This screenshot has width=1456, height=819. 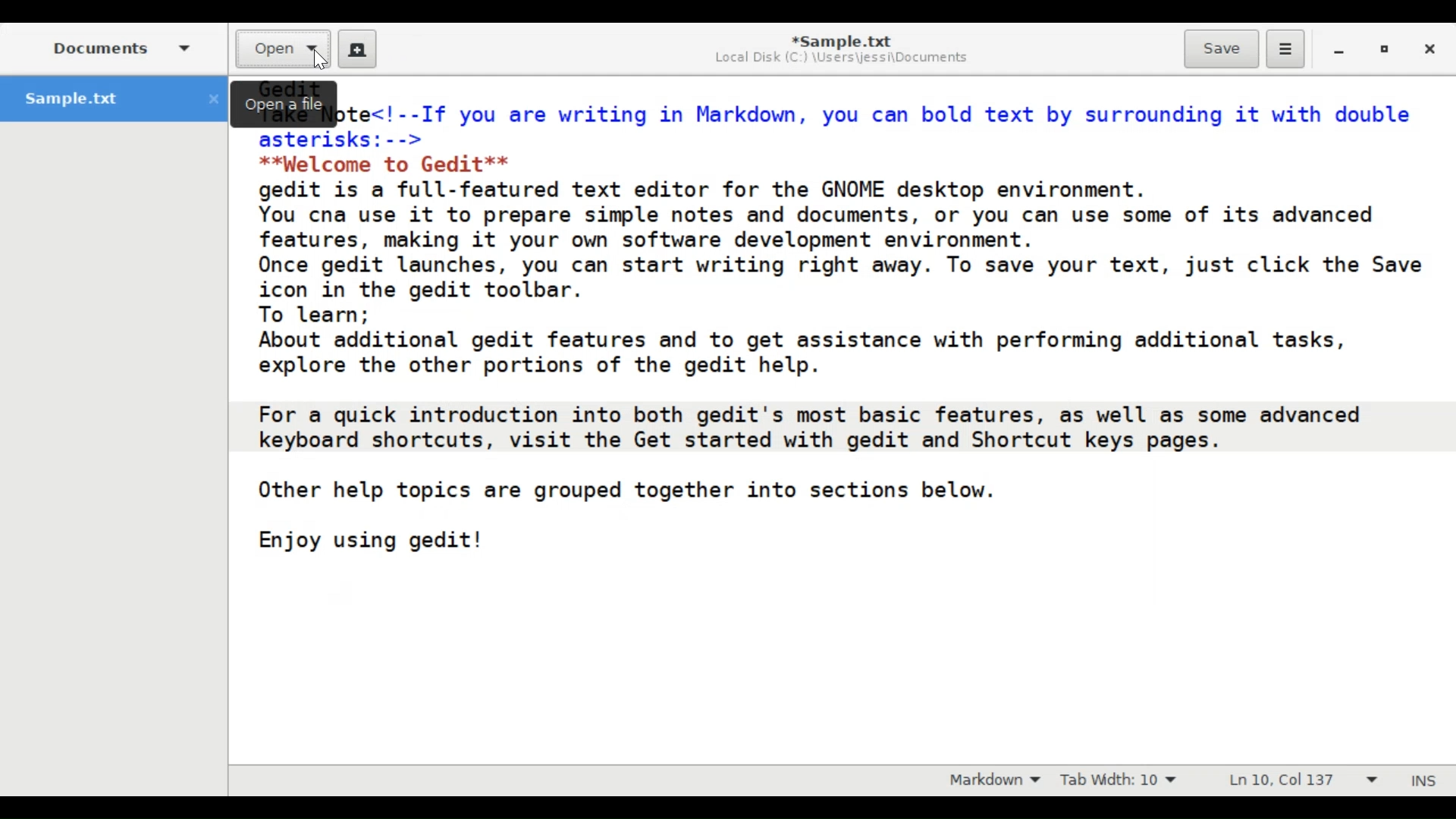 I want to click on Open, so click(x=284, y=49).